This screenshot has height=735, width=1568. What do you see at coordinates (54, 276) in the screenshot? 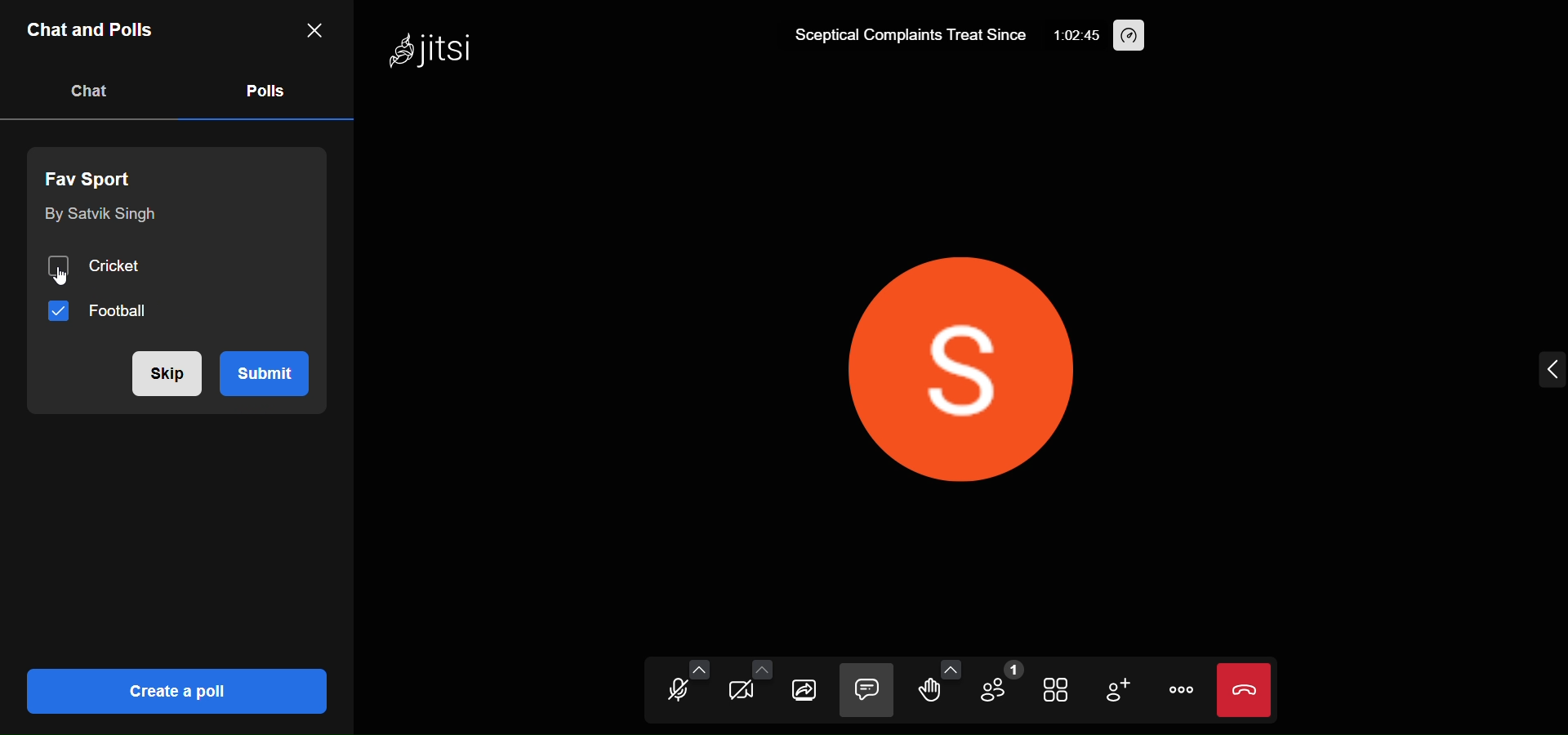
I see `cursor` at bounding box center [54, 276].